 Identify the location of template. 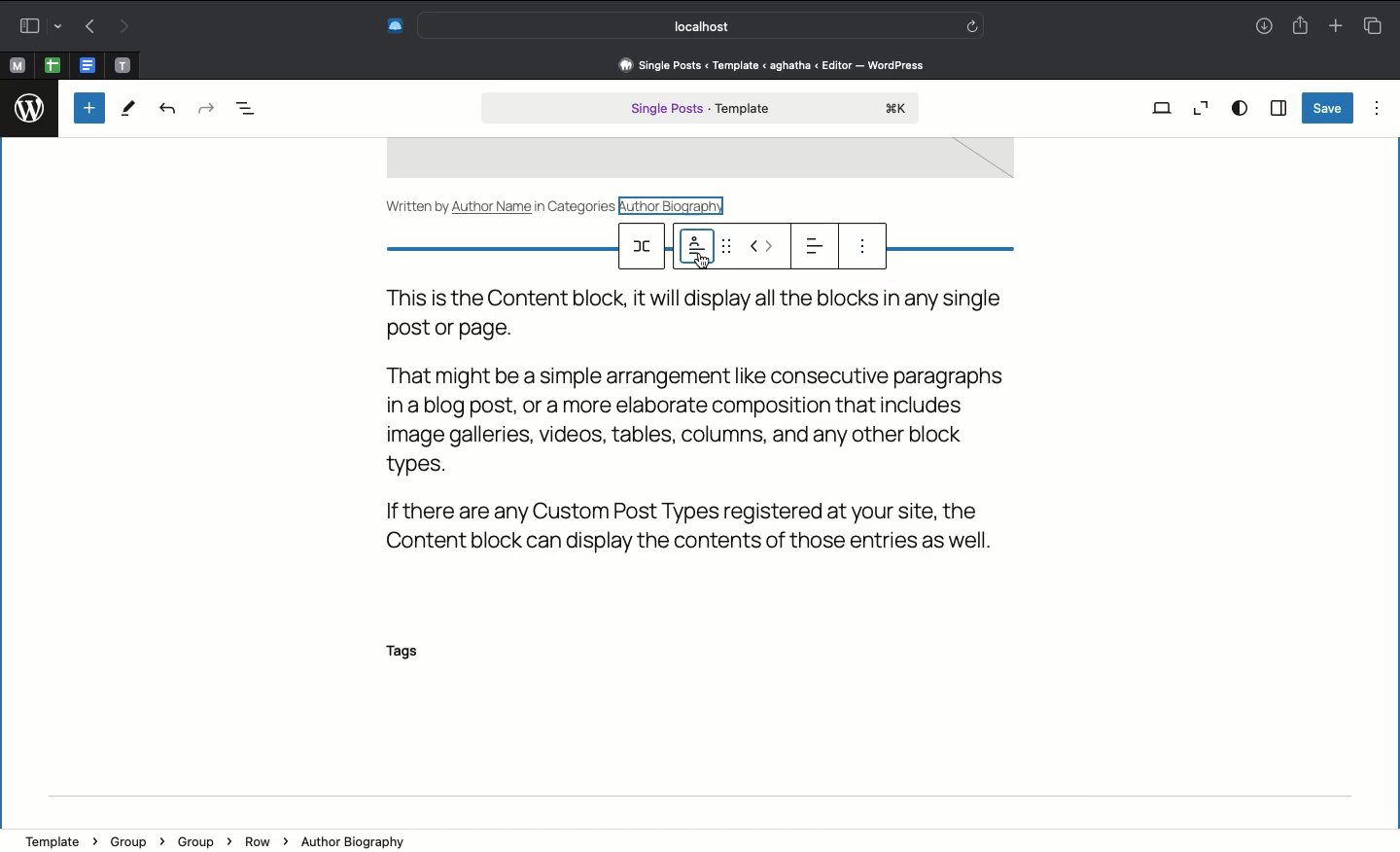
(59, 835).